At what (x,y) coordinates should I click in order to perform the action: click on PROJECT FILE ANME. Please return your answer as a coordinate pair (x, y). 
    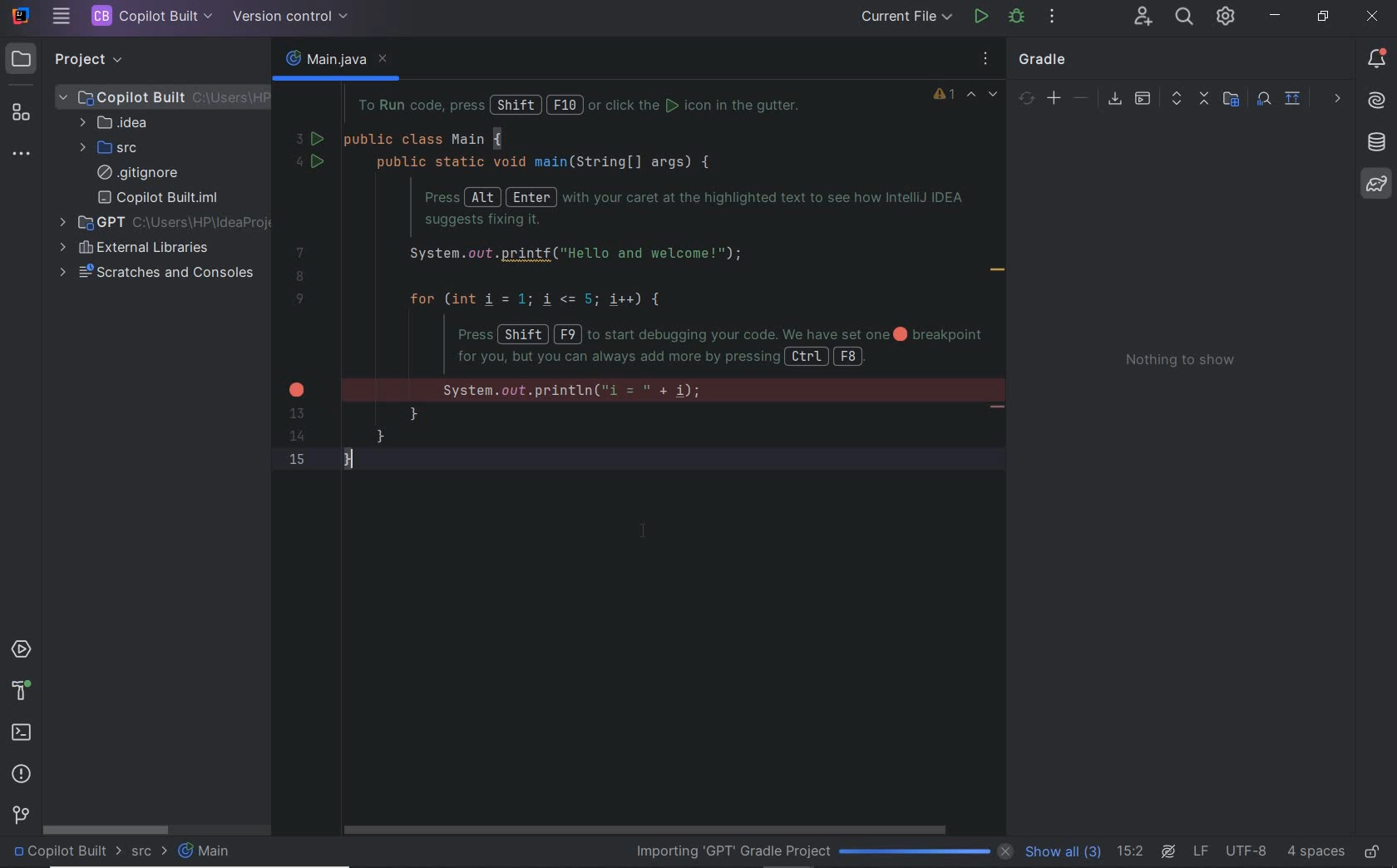
    Looking at the image, I should click on (163, 96).